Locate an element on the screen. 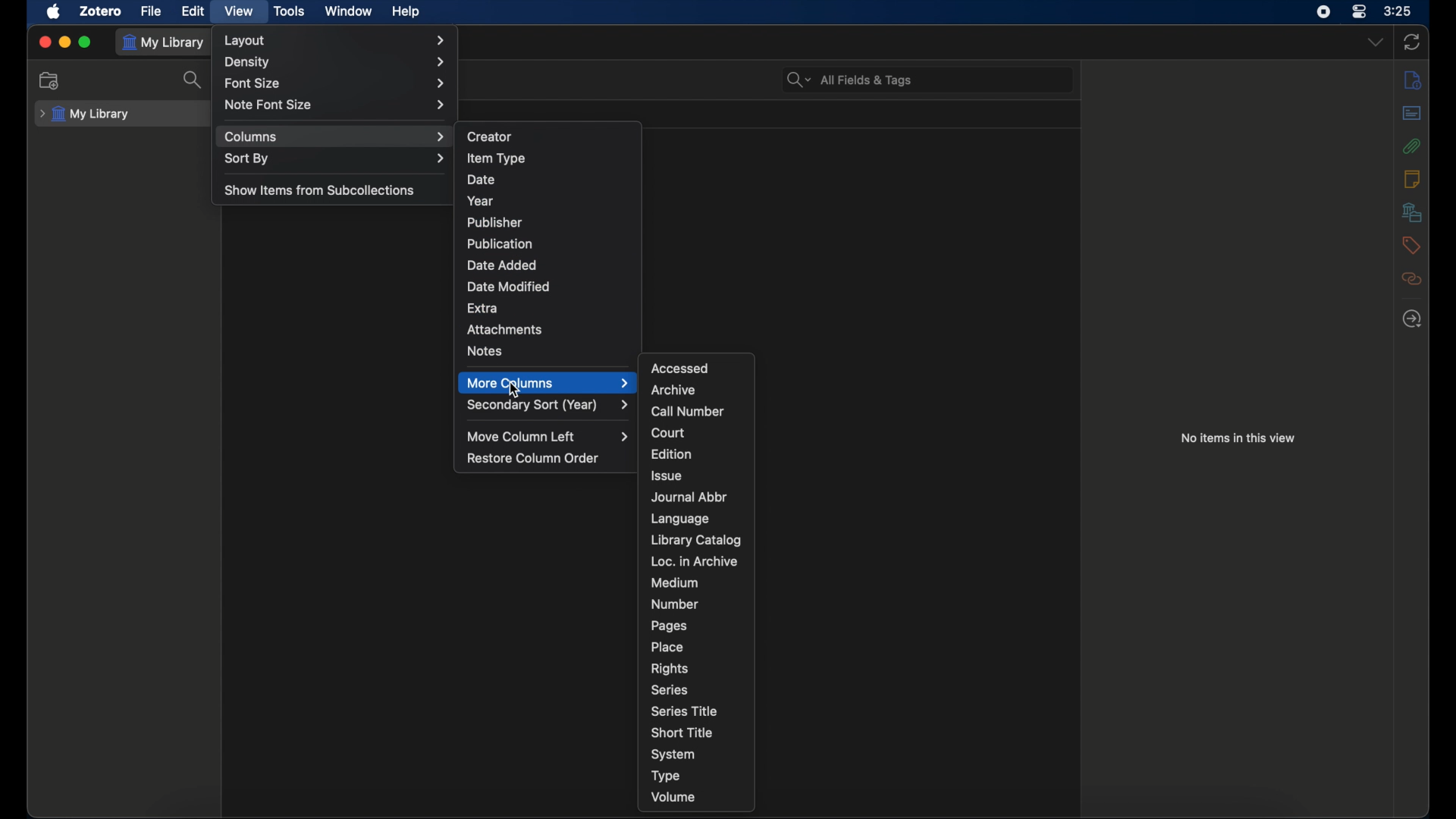 The image size is (1456, 819). show items from subcollections is located at coordinates (320, 190).